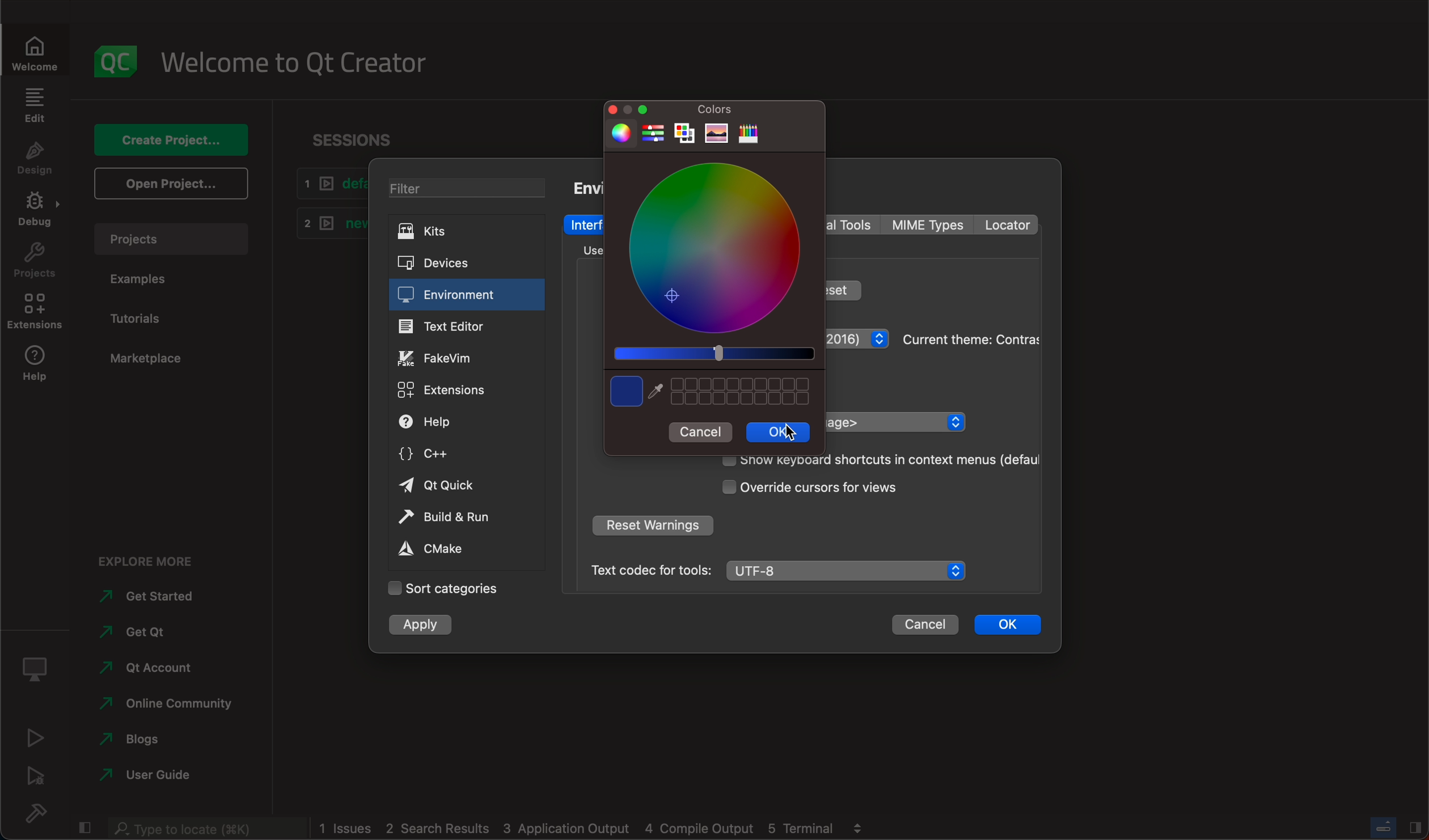 The image size is (1429, 840). I want to click on project, so click(36, 264).